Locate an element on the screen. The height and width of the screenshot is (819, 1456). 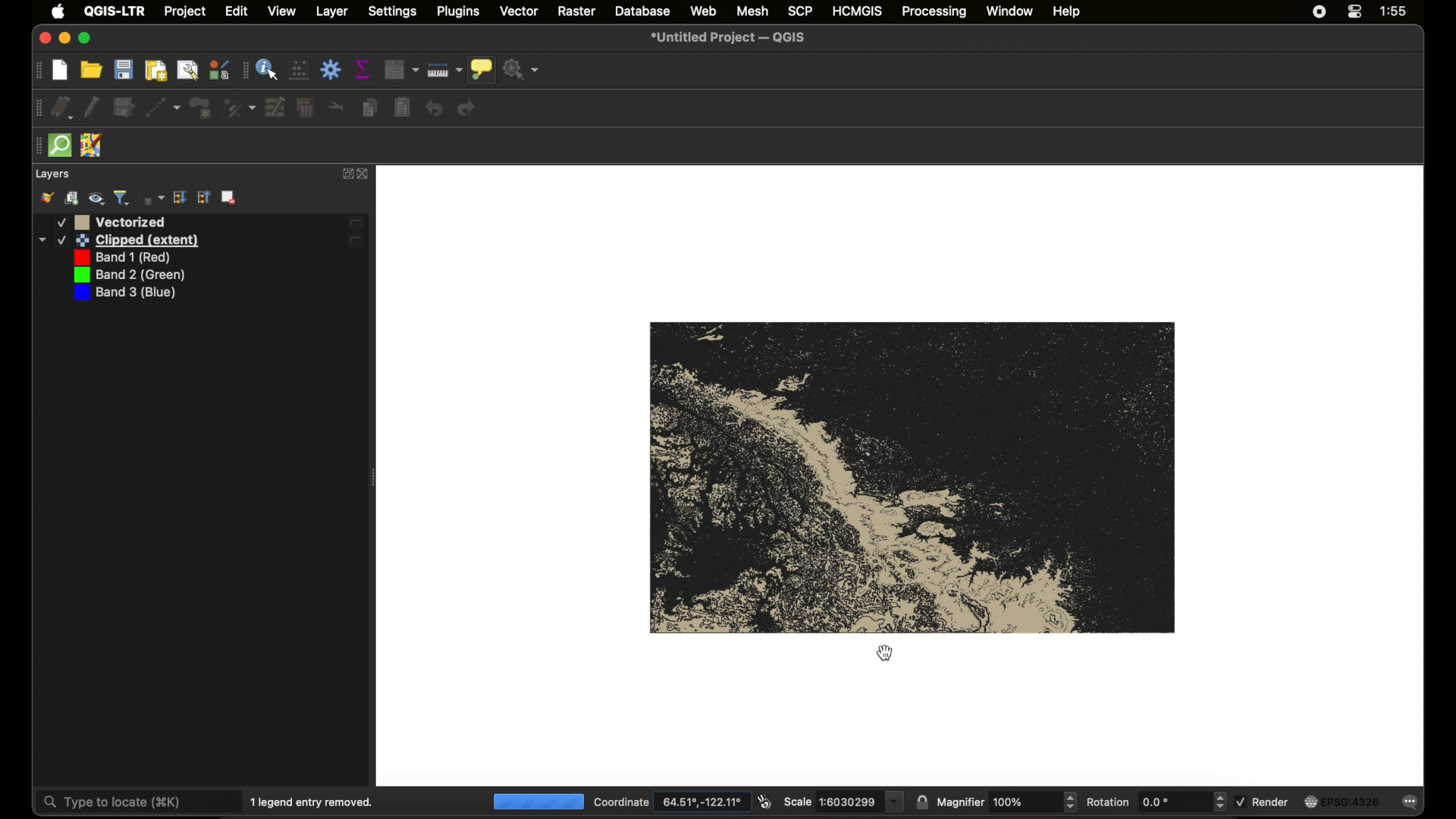
new print layout is located at coordinates (157, 71).